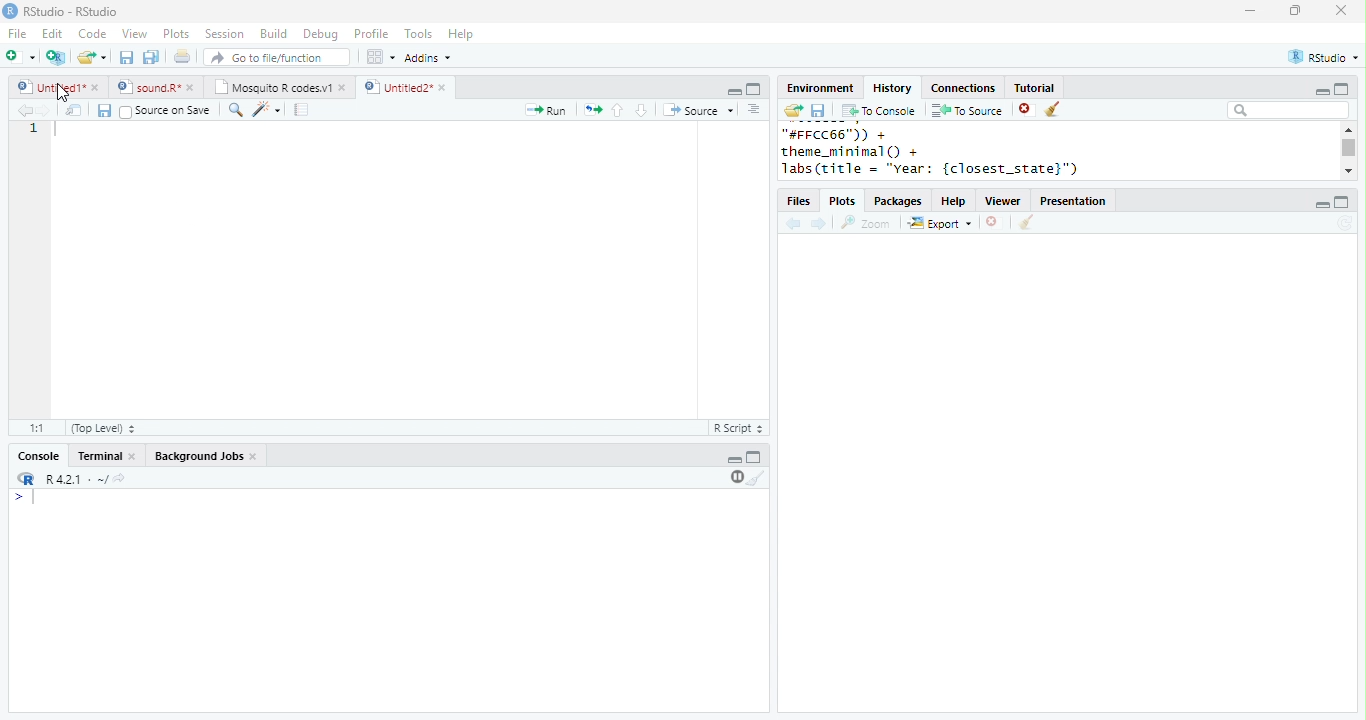  Describe the element at coordinates (1321, 91) in the screenshot. I see `minimize` at that location.